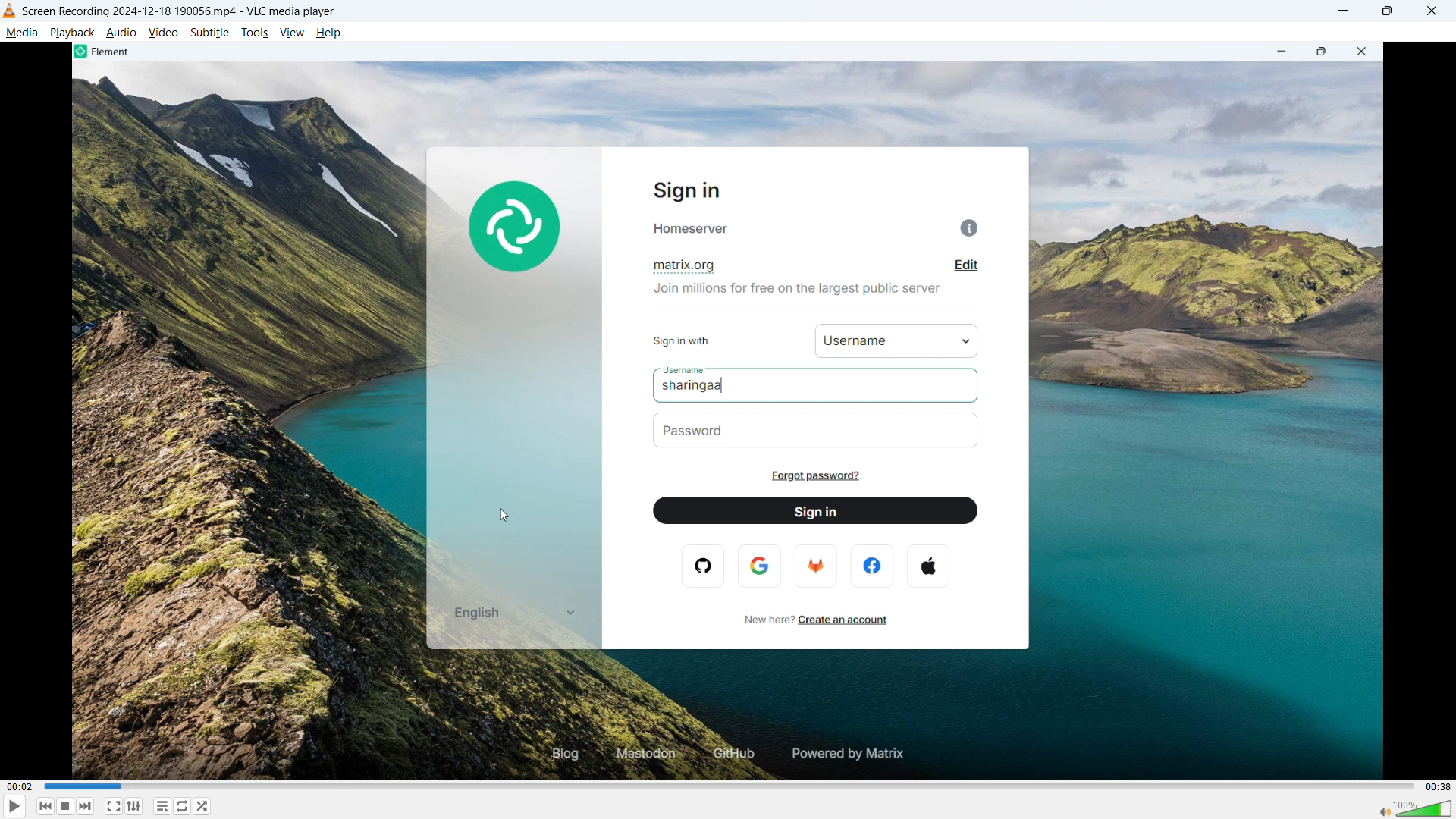  What do you see at coordinates (135, 807) in the screenshot?
I see `Show advanced settings ` at bounding box center [135, 807].